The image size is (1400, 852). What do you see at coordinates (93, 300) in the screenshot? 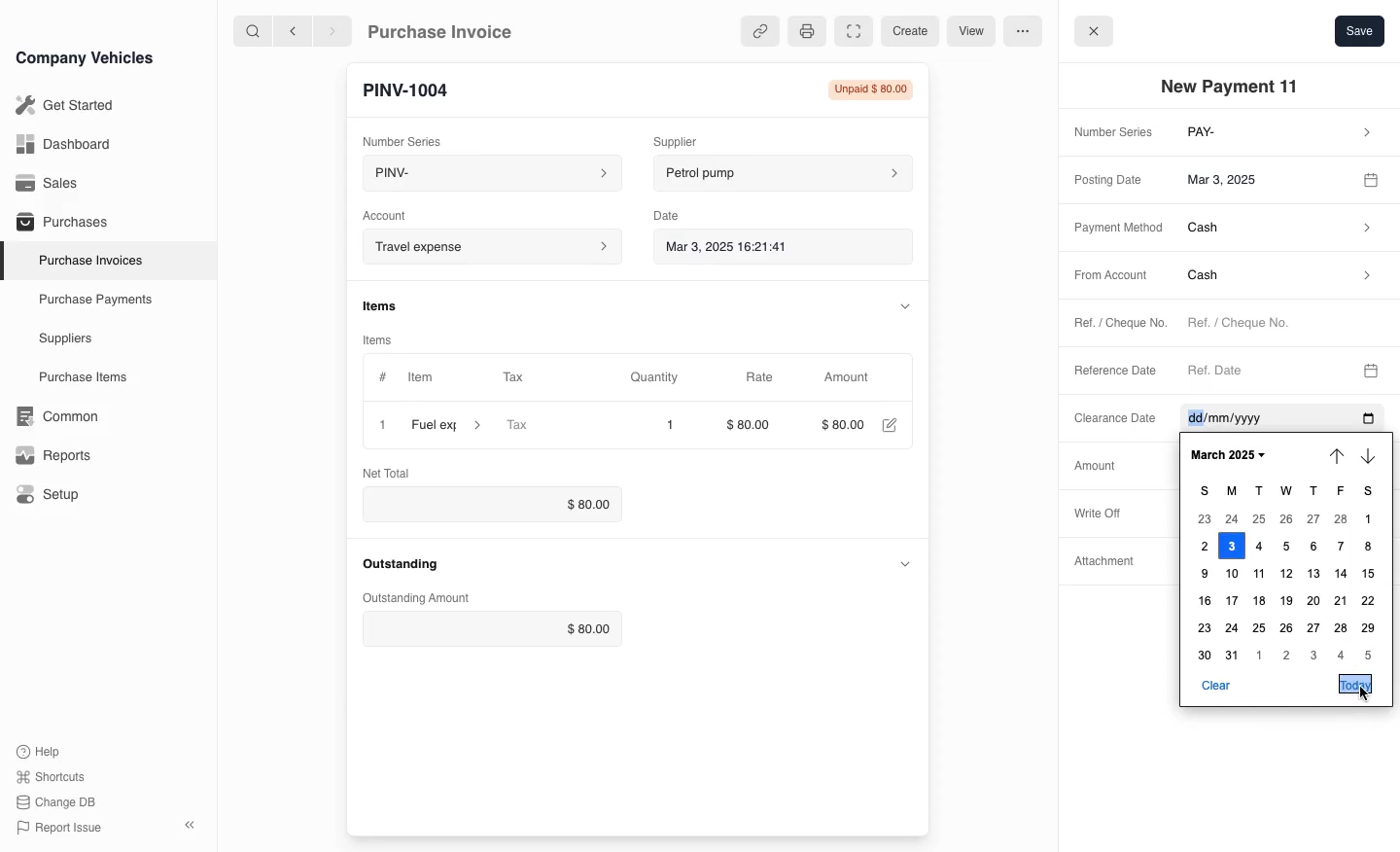
I see `Purchase Payments` at bounding box center [93, 300].